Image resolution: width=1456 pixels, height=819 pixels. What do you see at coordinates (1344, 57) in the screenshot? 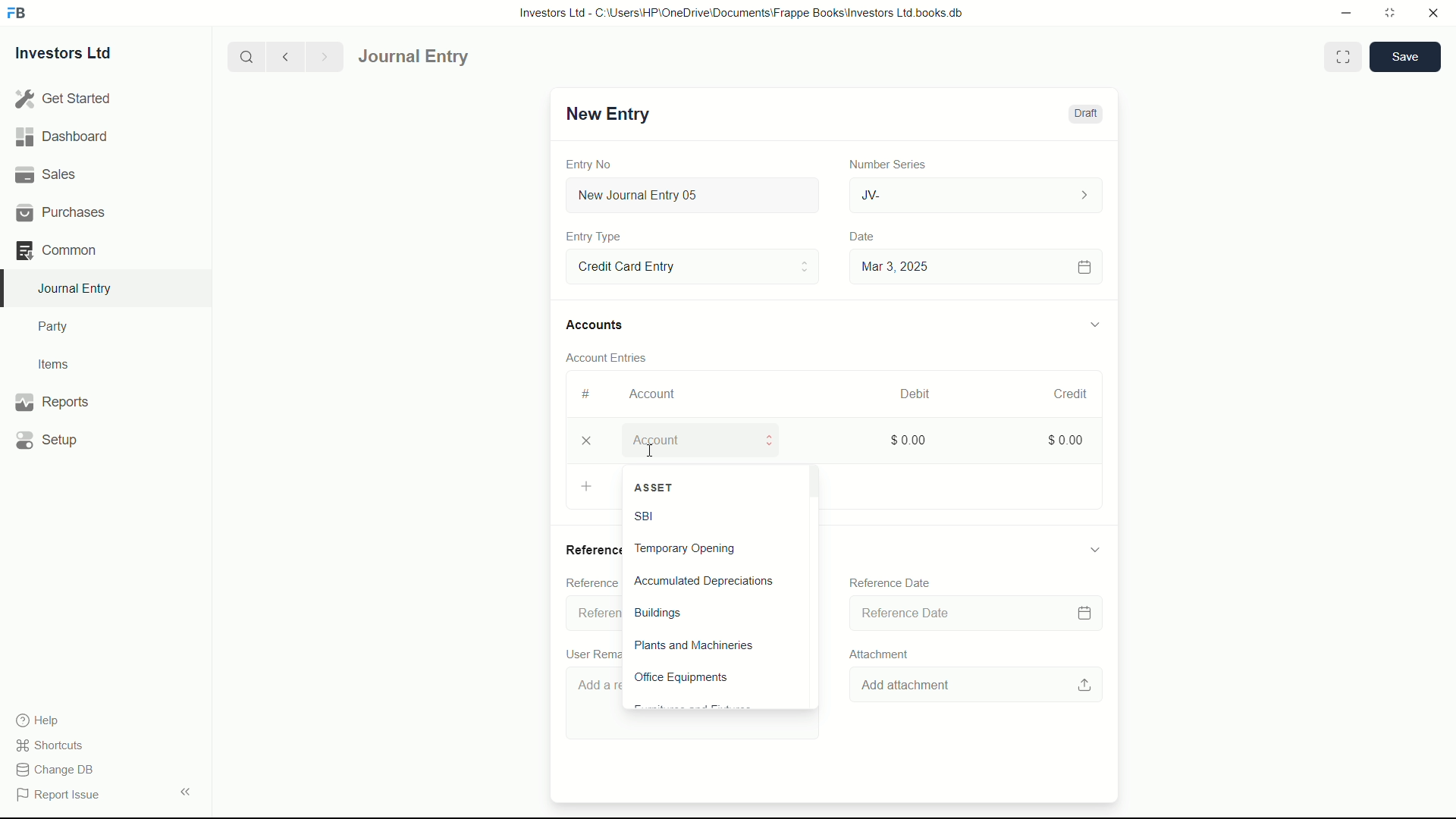
I see `Toggle between form and full width` at bounding box center [1344, 57].